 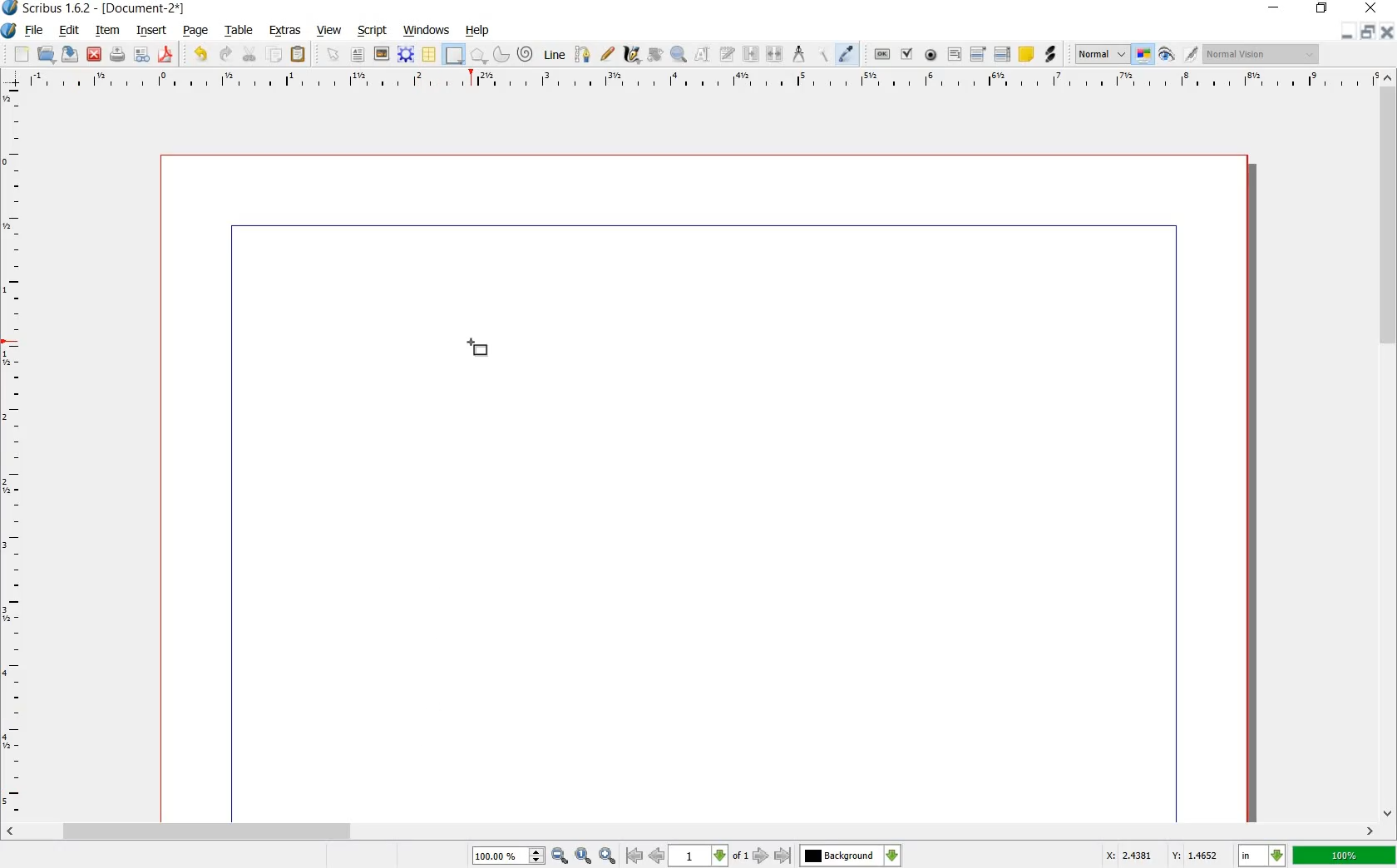 I want to click on PAGE, so click(x=195, y=32).